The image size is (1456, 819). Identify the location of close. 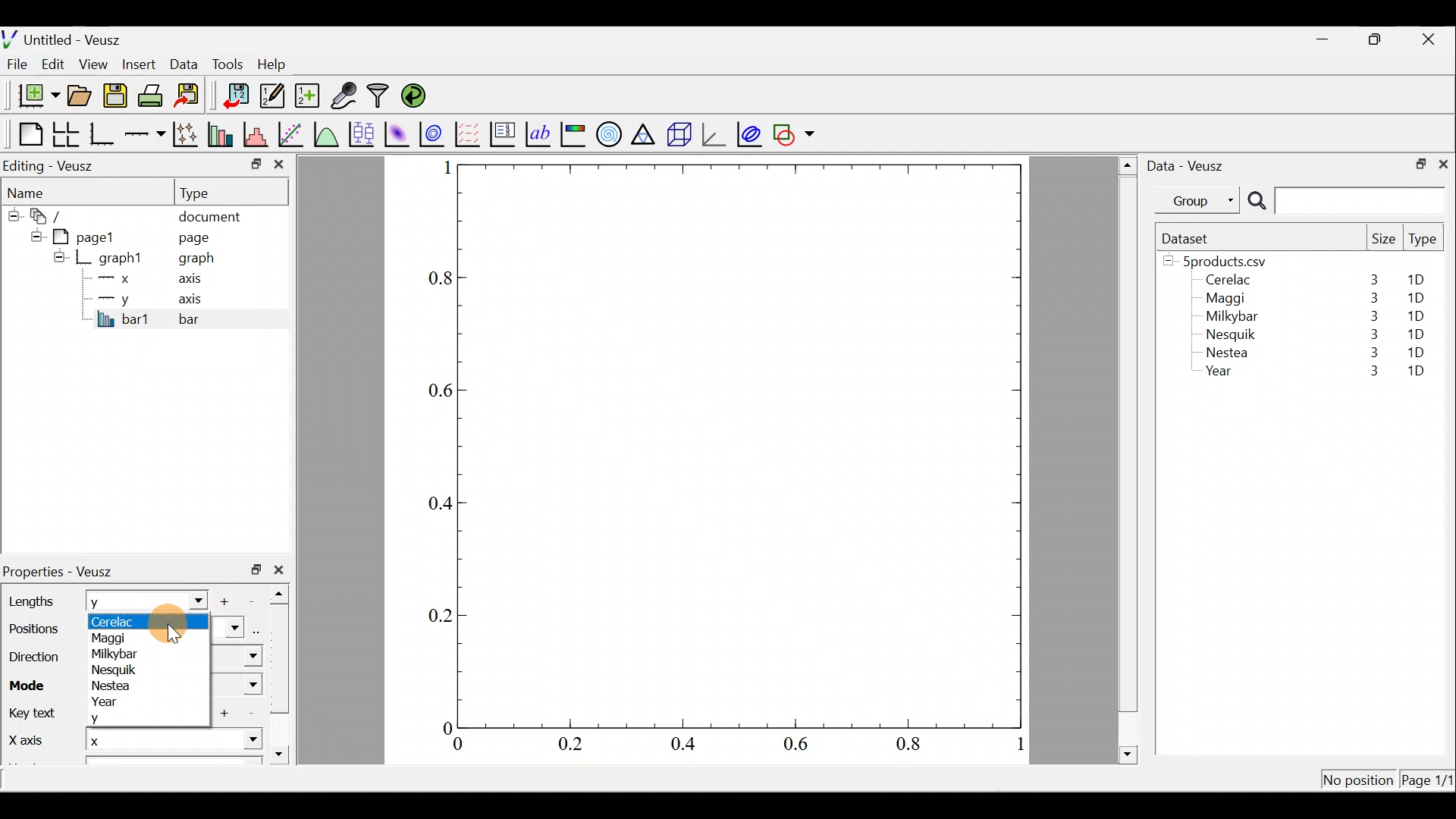
(1430, 39).